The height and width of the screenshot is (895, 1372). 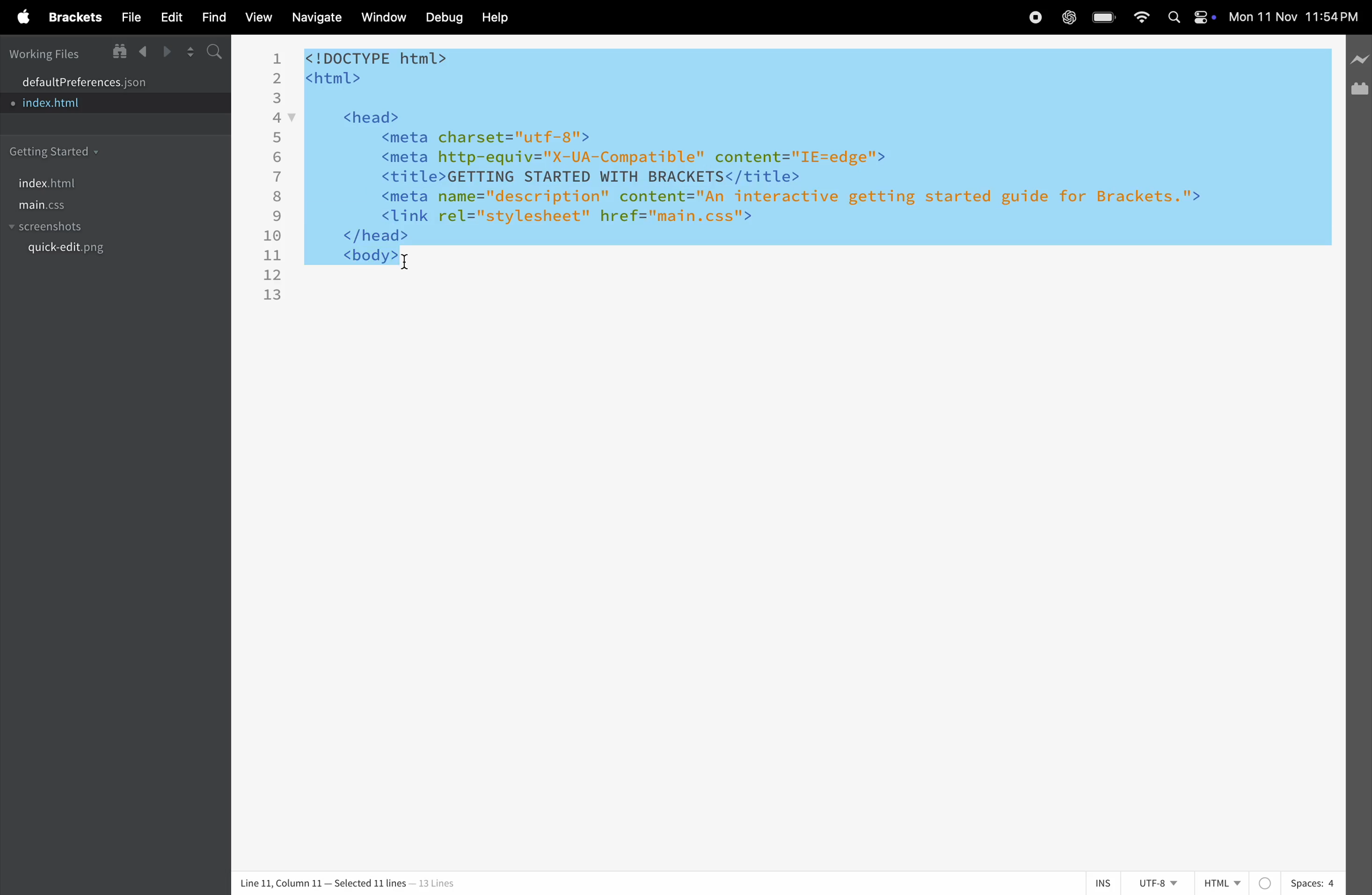 I want to click on cursor, so click(x=407, y=265).